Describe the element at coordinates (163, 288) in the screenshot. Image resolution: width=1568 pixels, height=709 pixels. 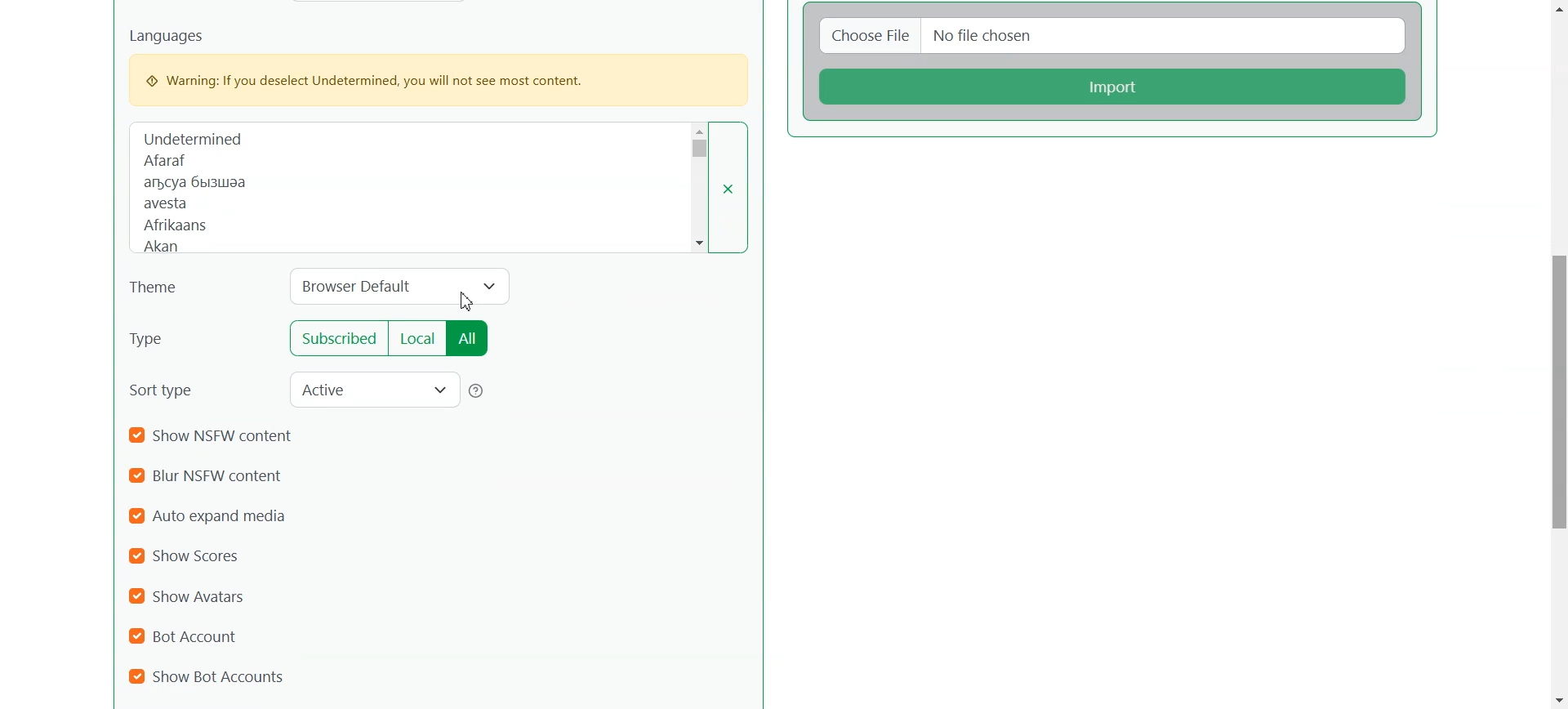
I see `Theme ` at that location.